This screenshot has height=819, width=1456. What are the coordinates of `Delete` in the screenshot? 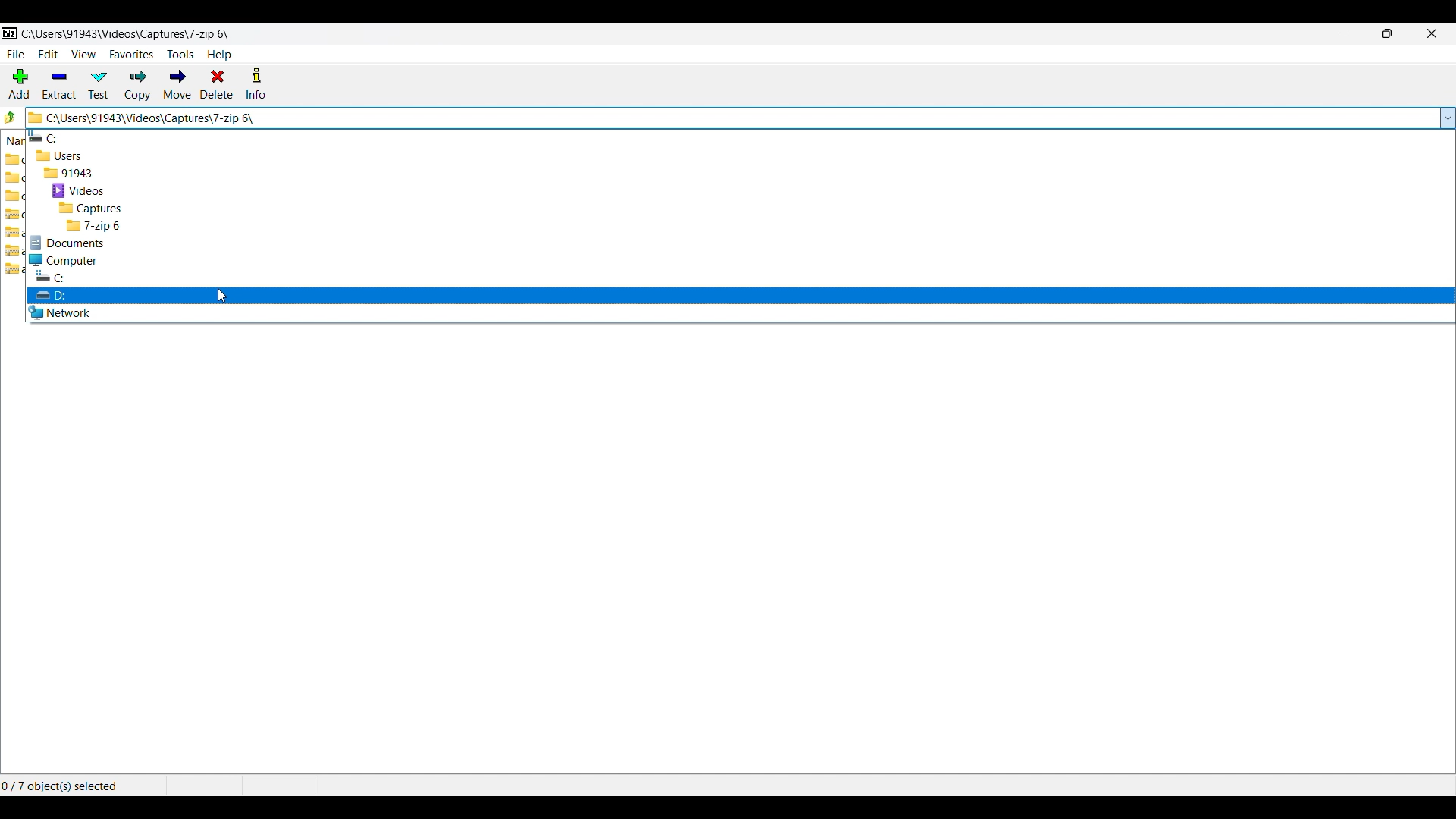 It's located at (217, 83).